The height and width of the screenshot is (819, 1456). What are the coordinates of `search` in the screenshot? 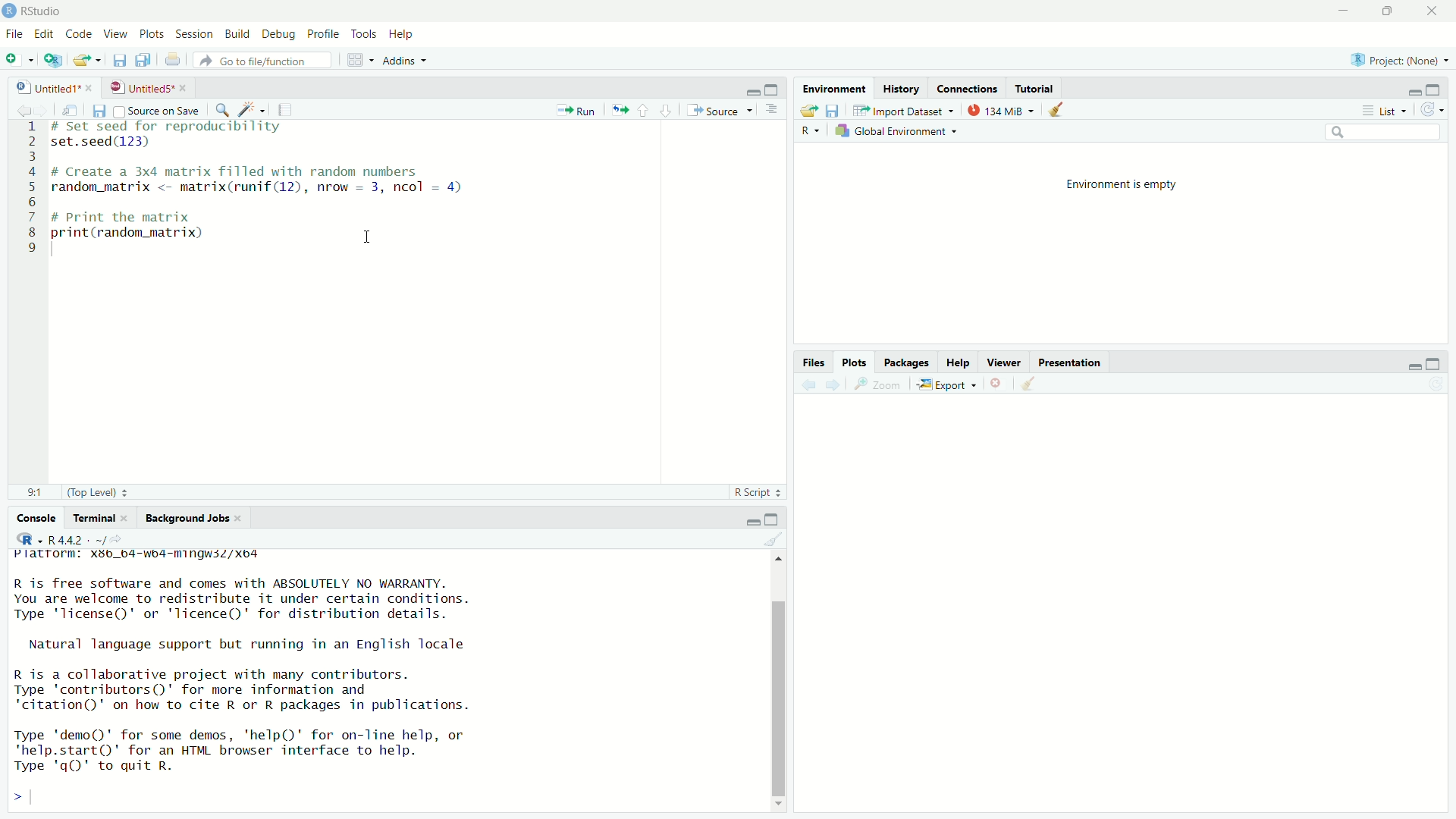 It's located at (1379, 136).